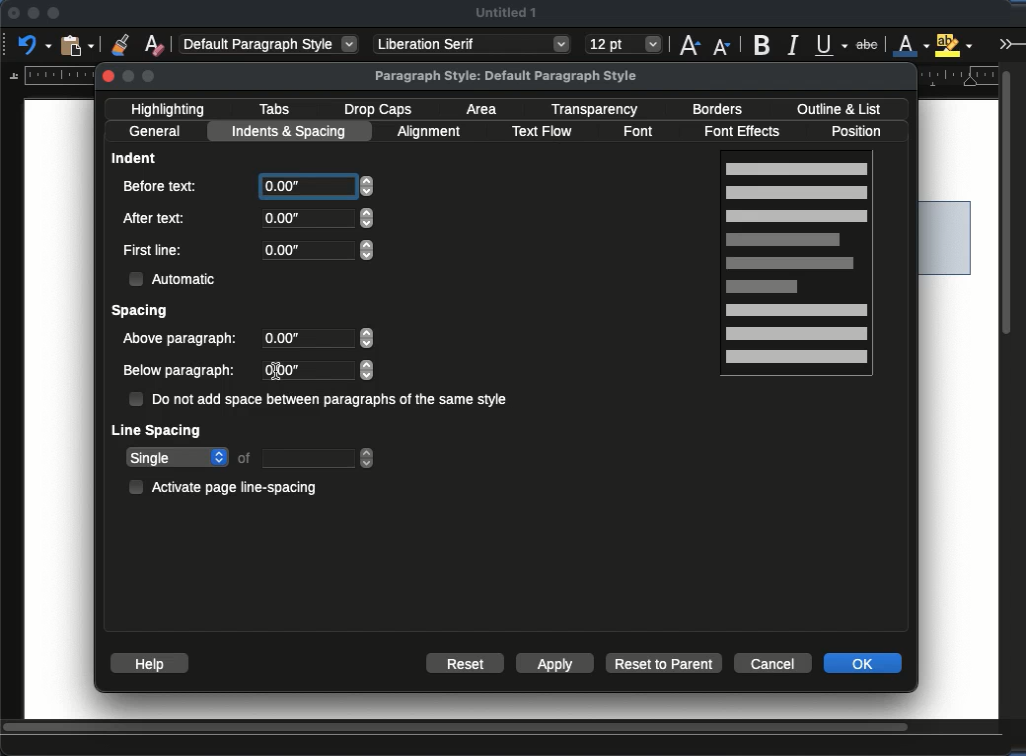  What do you see at coordinates (773, 661) in the screenshot?
I see `cancel` at bounding box center [773, 661].